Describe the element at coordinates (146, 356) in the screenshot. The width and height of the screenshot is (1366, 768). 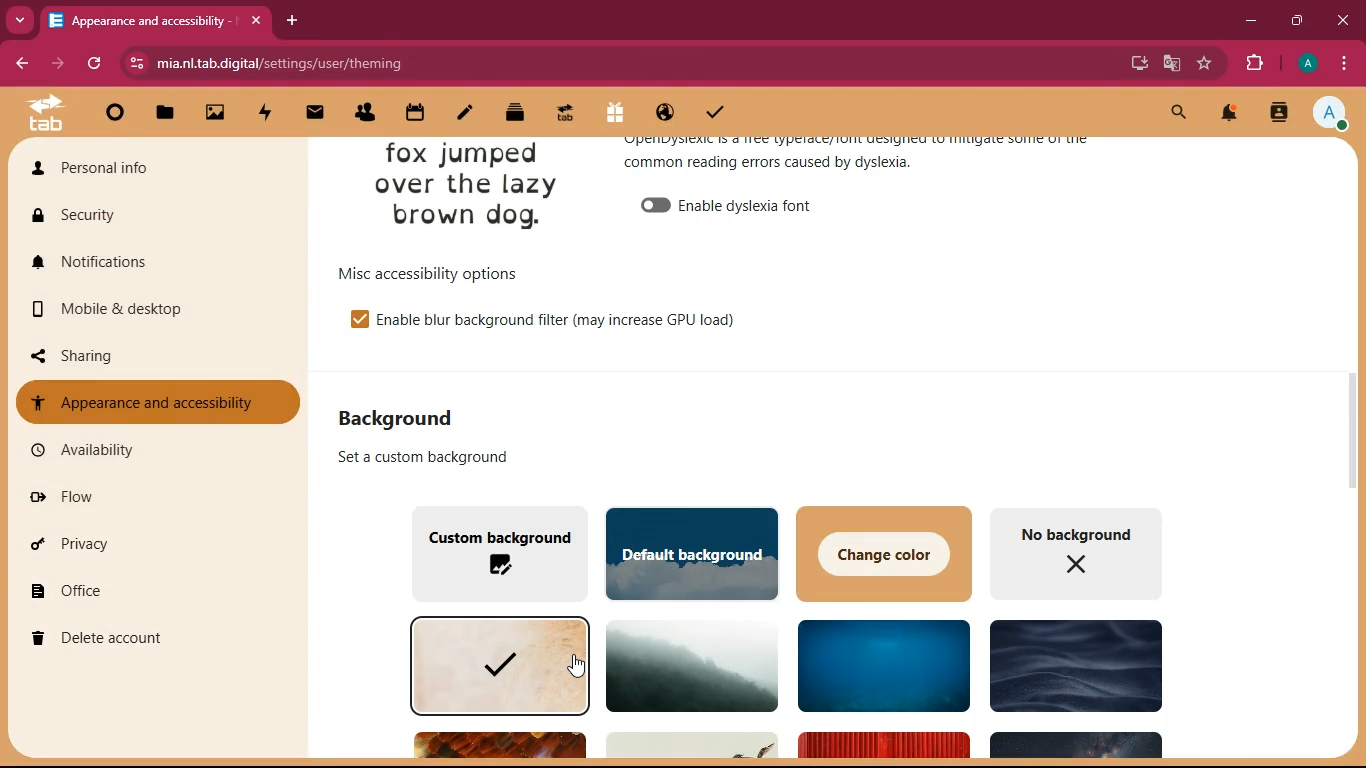
I see `sharing` at that location.